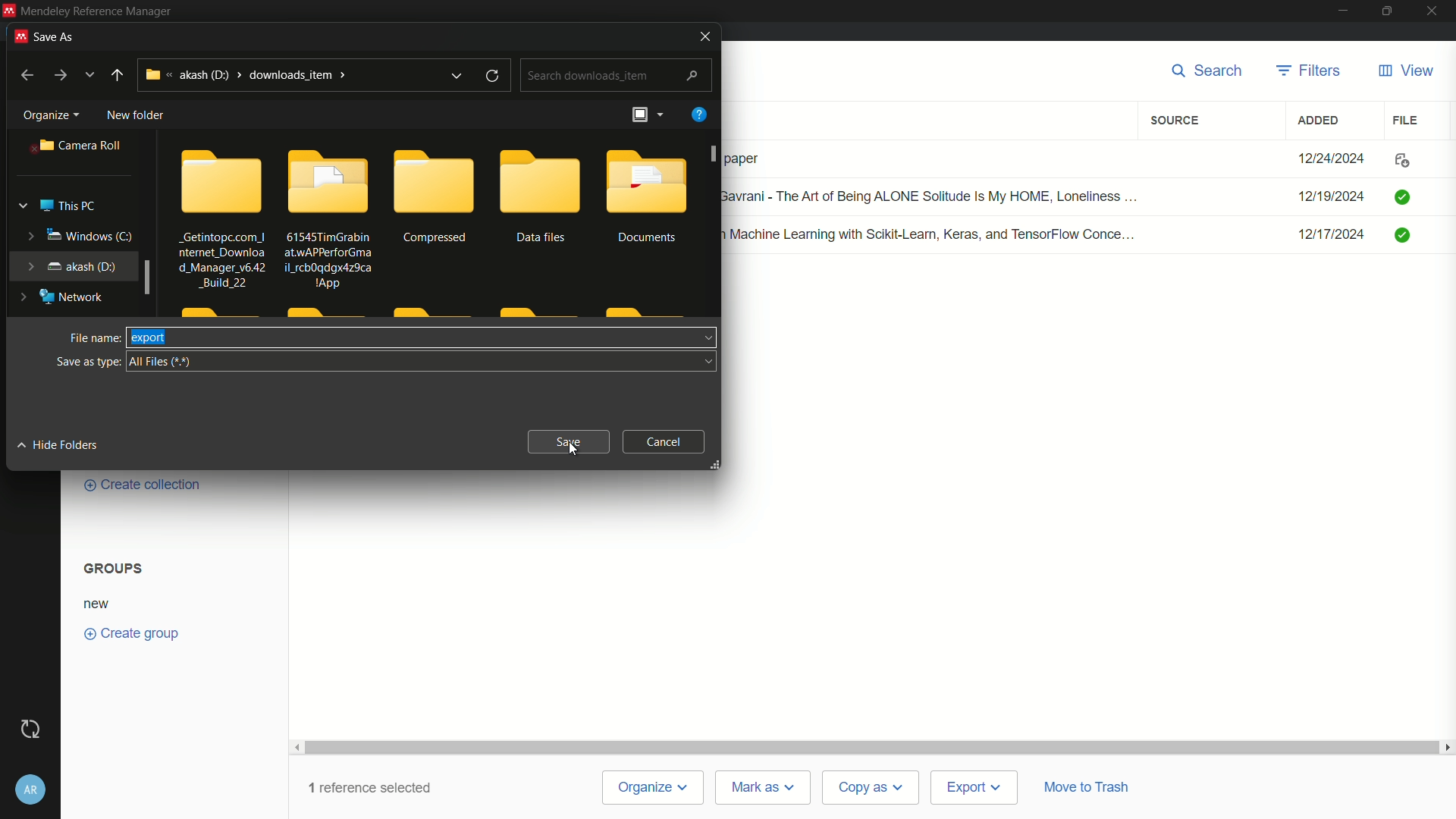  I want to click on back, so click(26, 76).